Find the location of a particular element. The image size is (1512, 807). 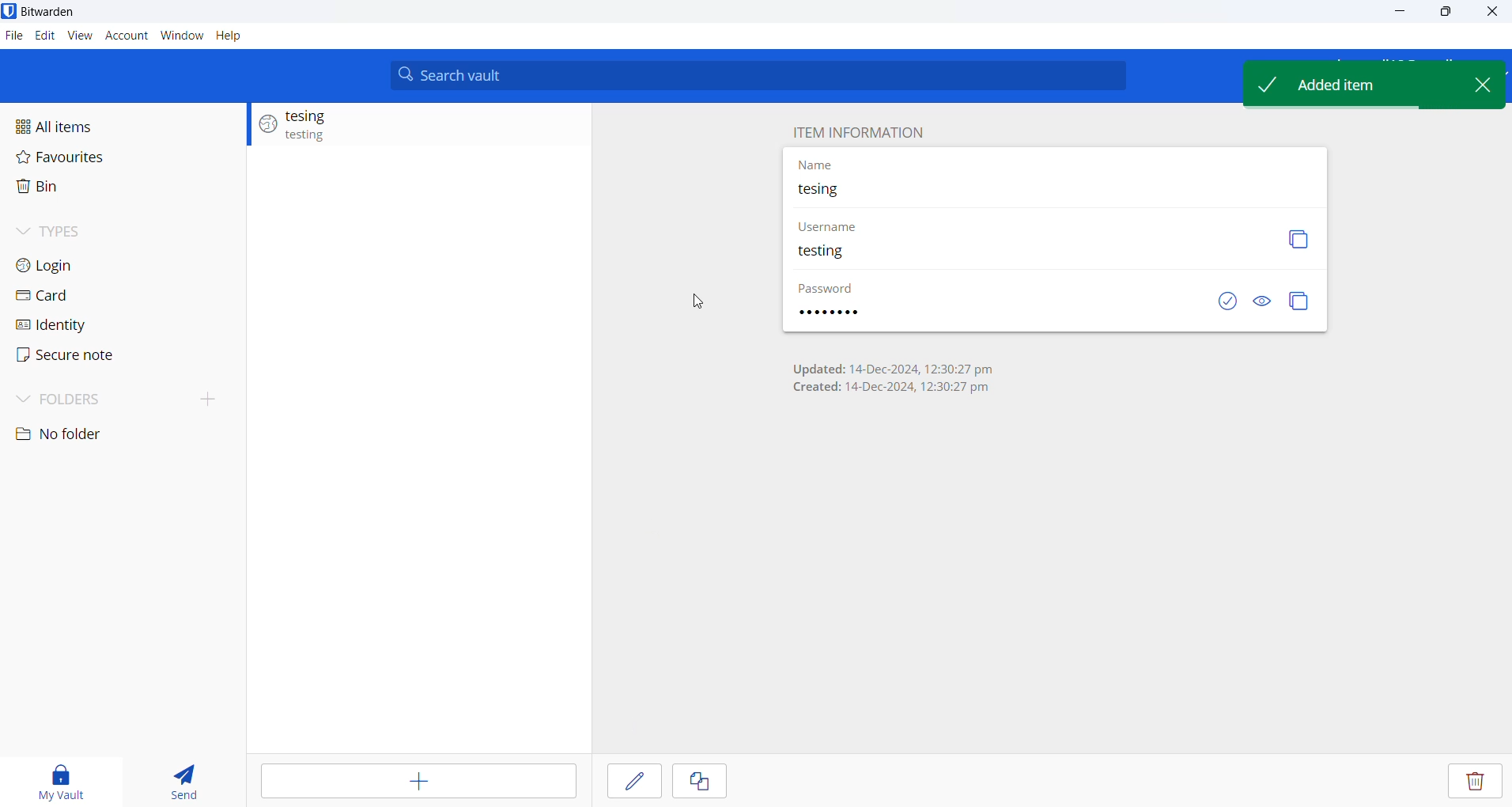

Favorites is located at coordinates (96, 161).